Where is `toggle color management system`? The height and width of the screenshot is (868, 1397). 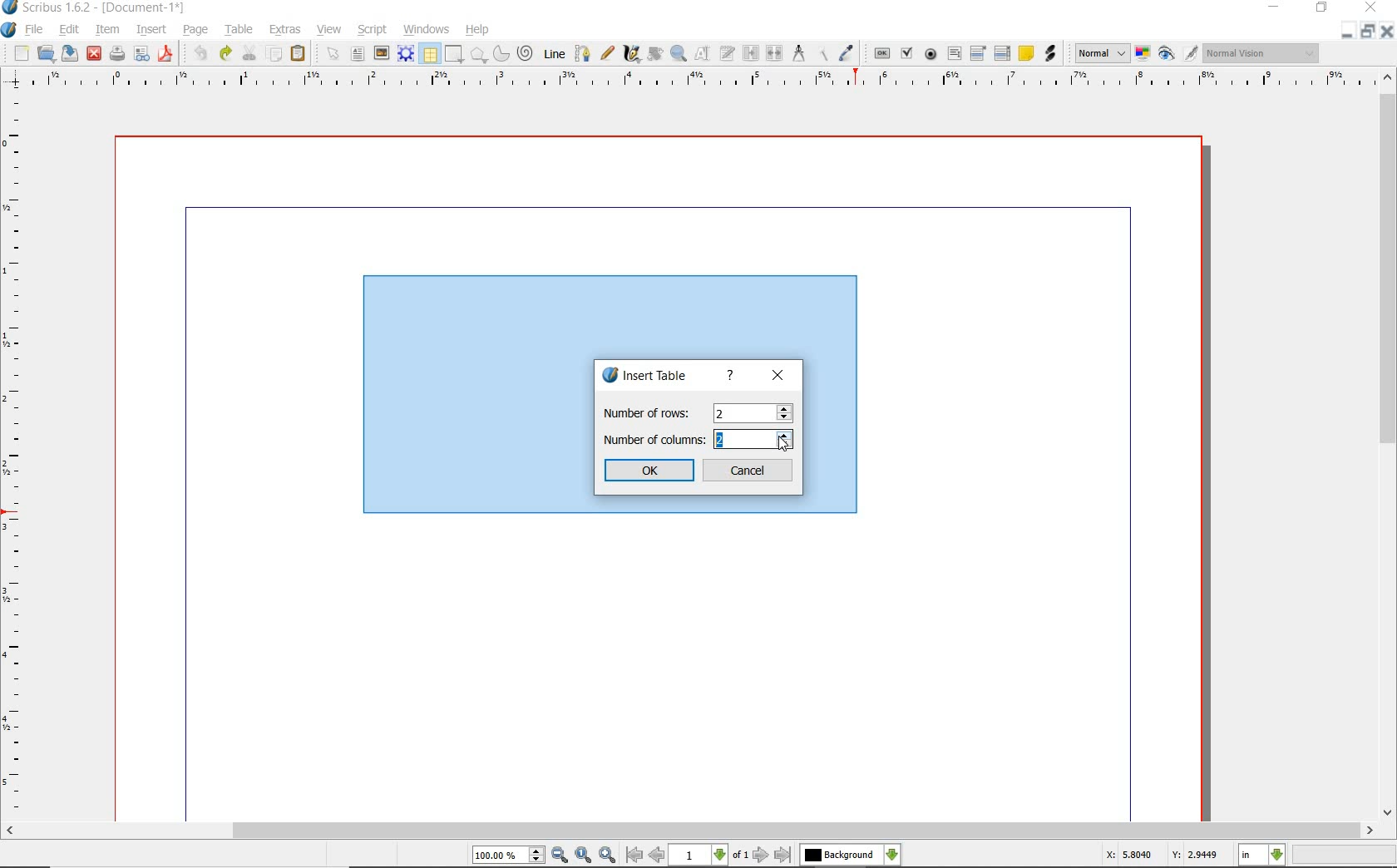 toggle color management system is located at coordinates (1144, 55).